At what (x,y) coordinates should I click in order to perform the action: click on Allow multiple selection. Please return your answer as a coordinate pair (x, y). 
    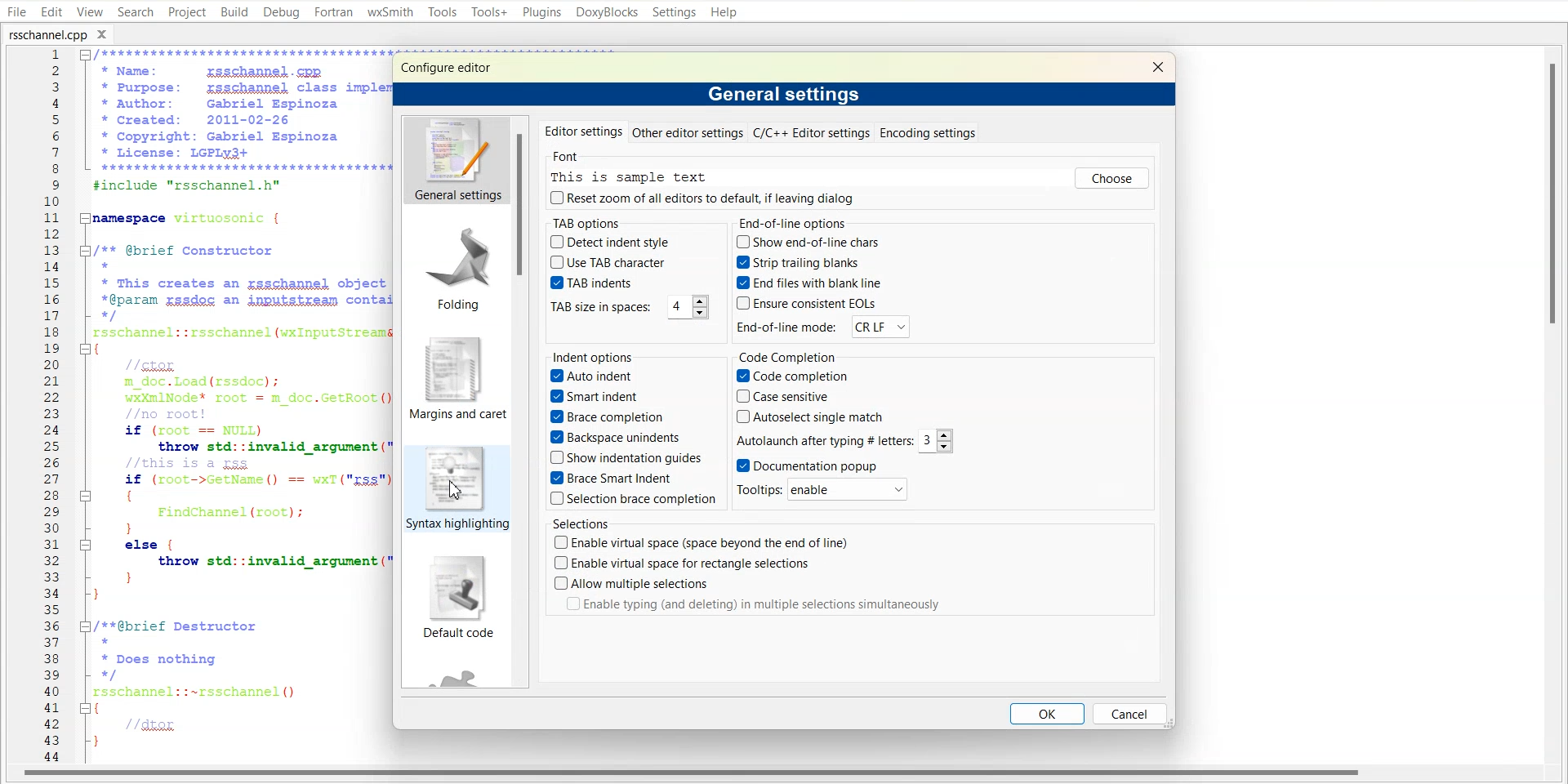
    Looking at the image, I should click on (630, 583).